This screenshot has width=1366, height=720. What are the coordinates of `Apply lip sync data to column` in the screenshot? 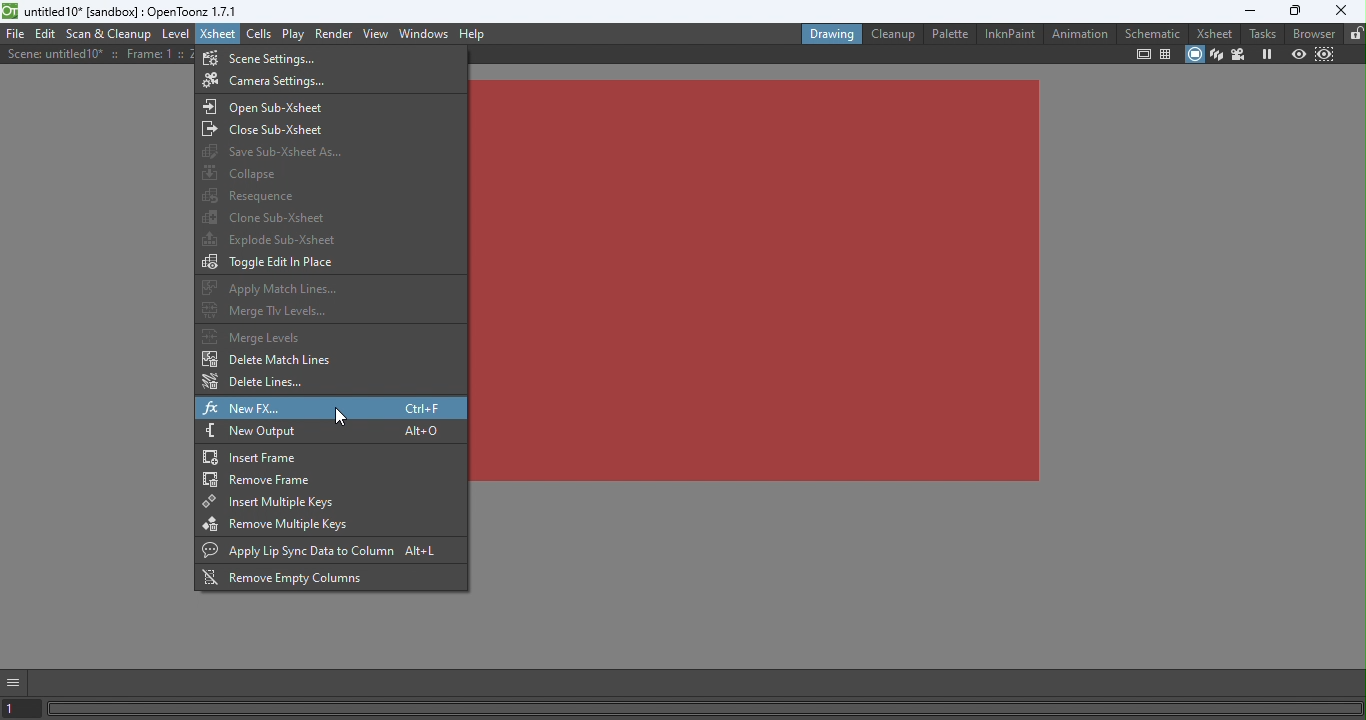 It's located at (440, 870).